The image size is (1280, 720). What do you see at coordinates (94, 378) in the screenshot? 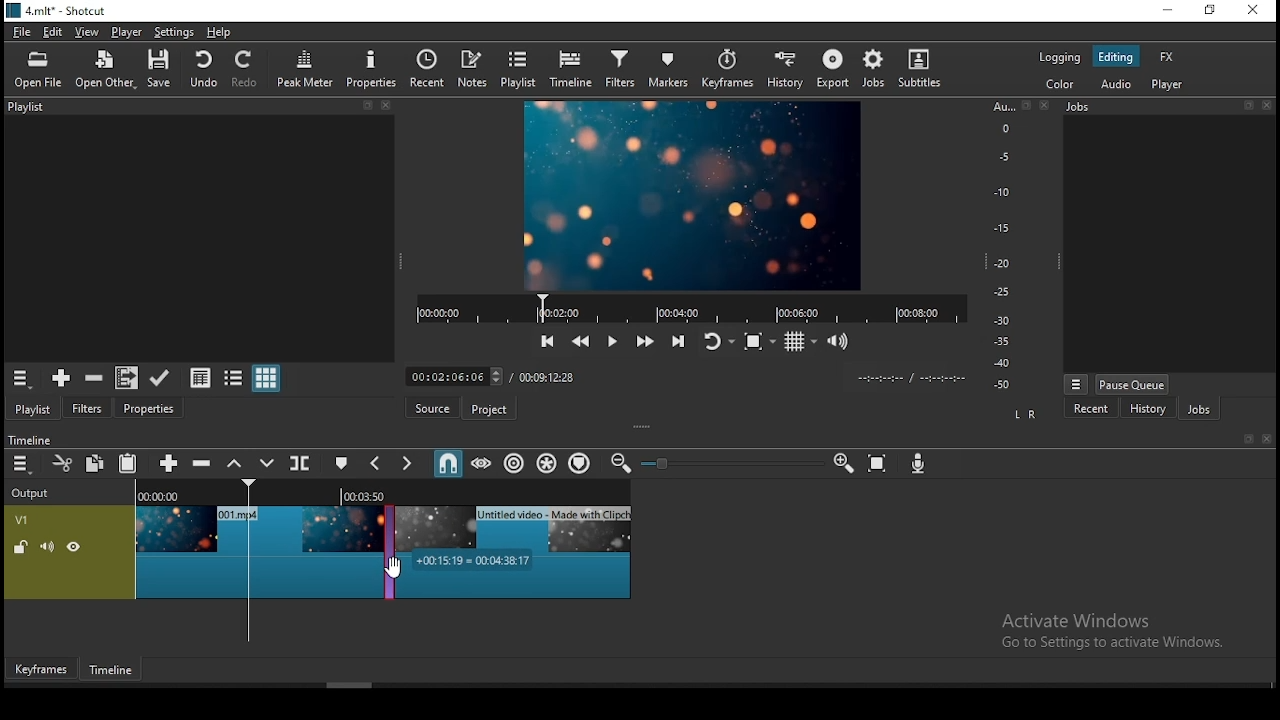
I see `remove cut` at bounding box center [94, 378].